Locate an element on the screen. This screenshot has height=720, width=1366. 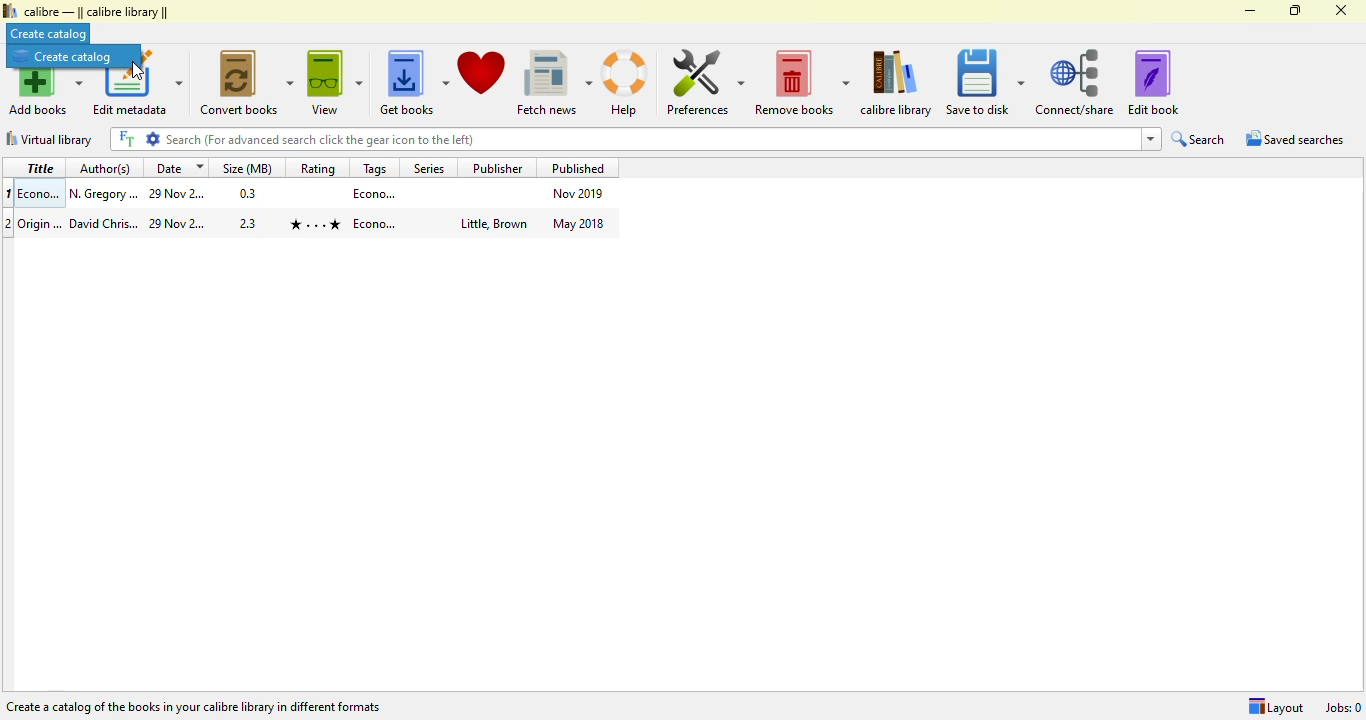
preferences is located at coordinates (704, 81).